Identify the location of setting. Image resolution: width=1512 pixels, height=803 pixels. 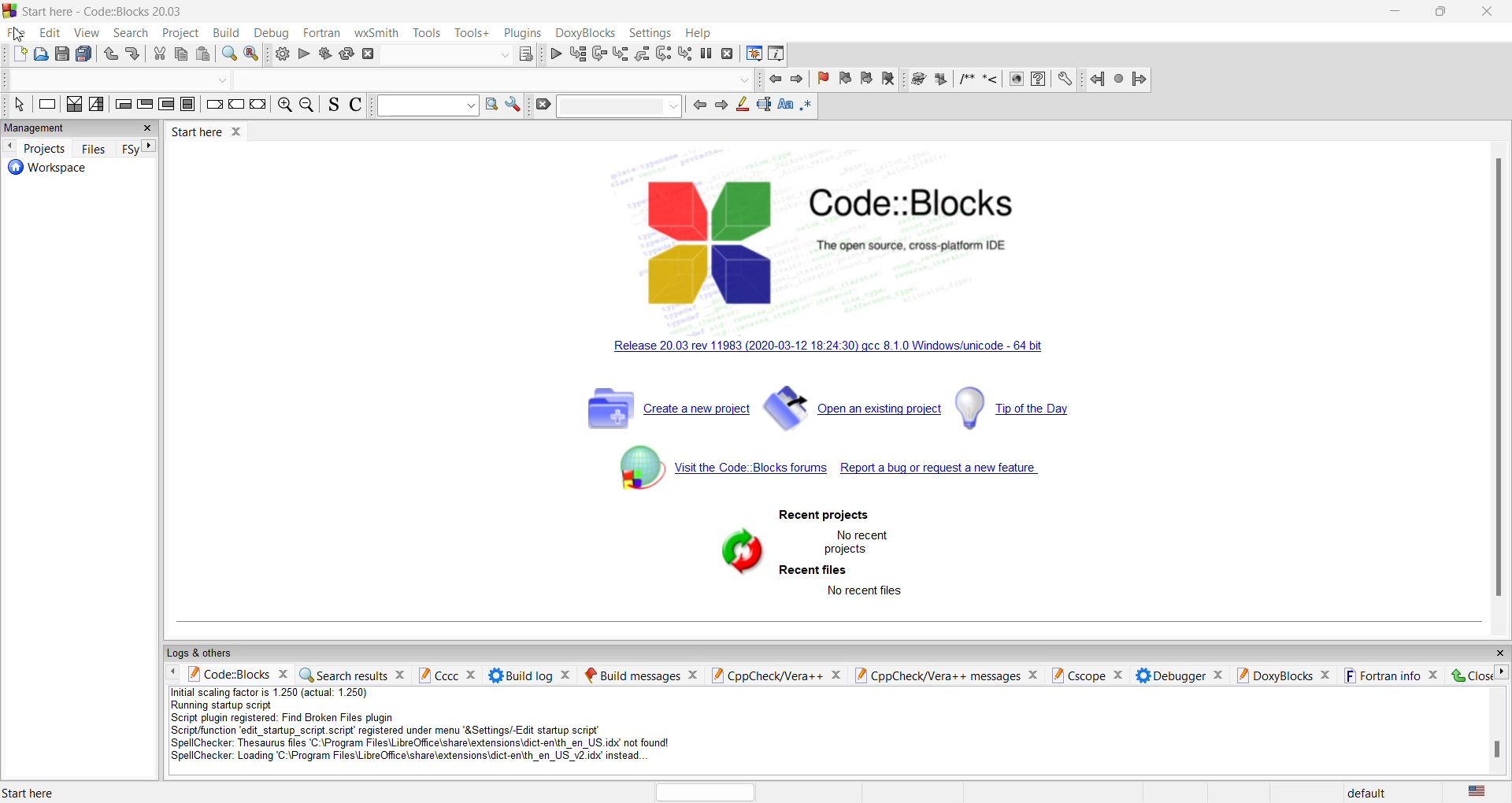
(1065, 80).